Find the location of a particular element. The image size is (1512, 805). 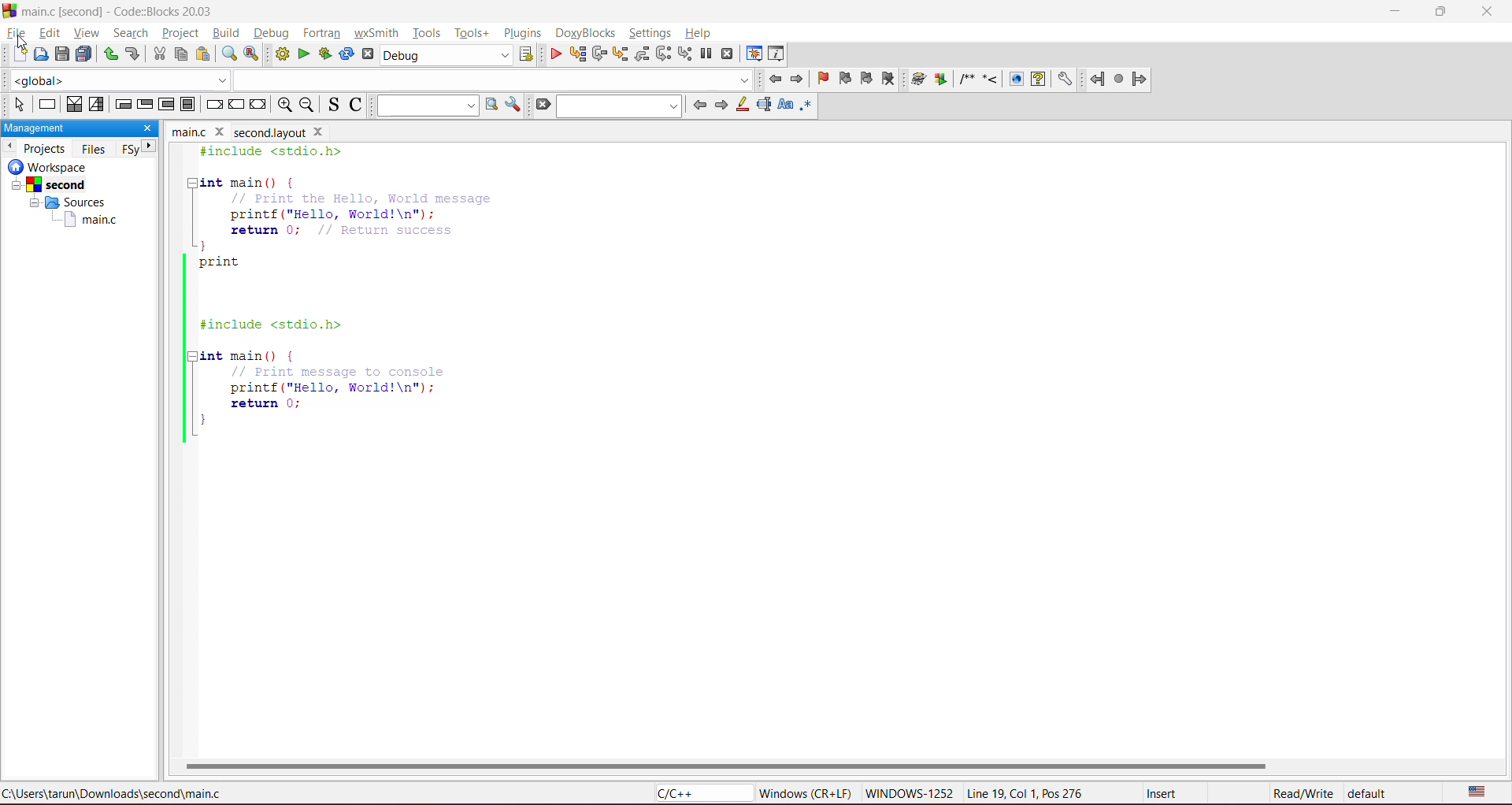

plugins is located at coordinates (524, 33).